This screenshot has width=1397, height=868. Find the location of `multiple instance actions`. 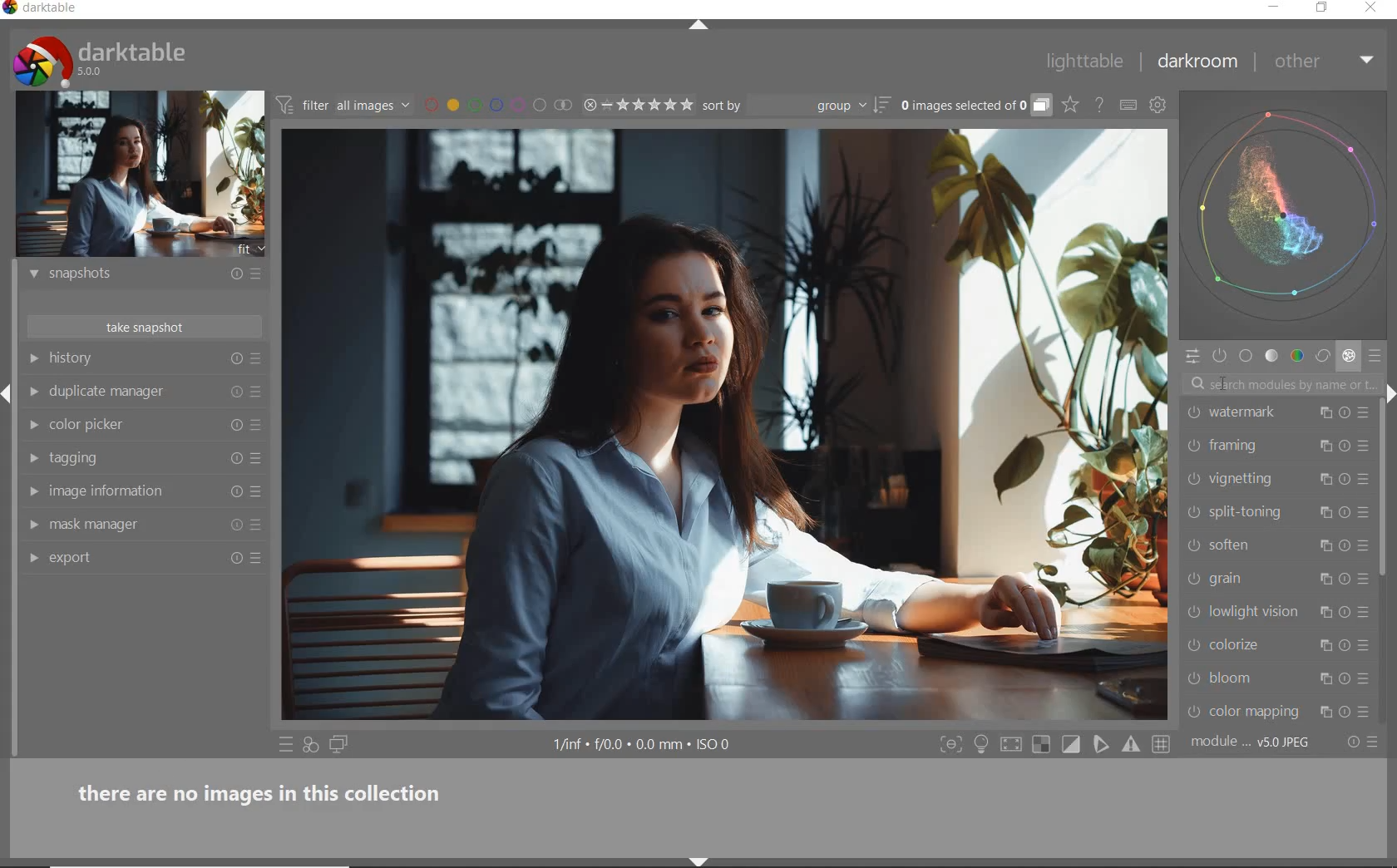

multiple instance actions is located at coordinates (1325, 579).